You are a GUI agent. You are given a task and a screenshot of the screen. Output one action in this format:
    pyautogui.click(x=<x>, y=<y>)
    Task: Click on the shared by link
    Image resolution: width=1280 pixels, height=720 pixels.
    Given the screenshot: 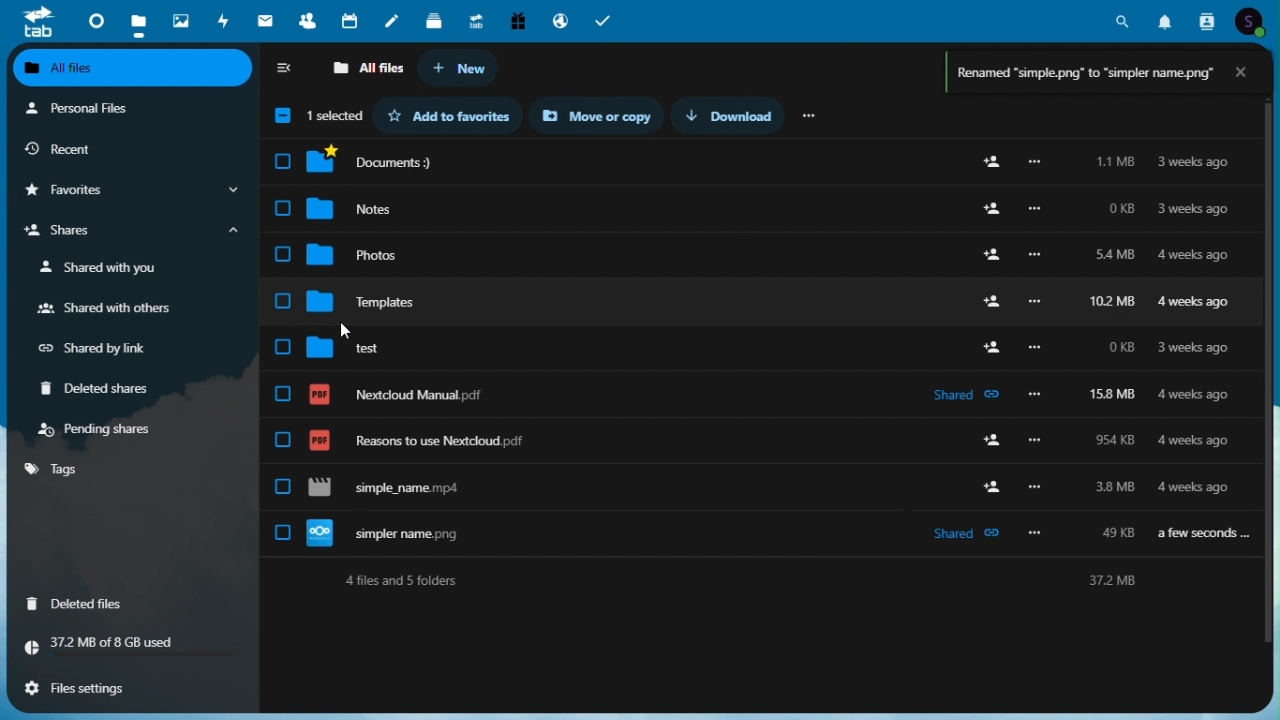 What is the action you would take?
    pyautogui.click(x=102, y=349)
    